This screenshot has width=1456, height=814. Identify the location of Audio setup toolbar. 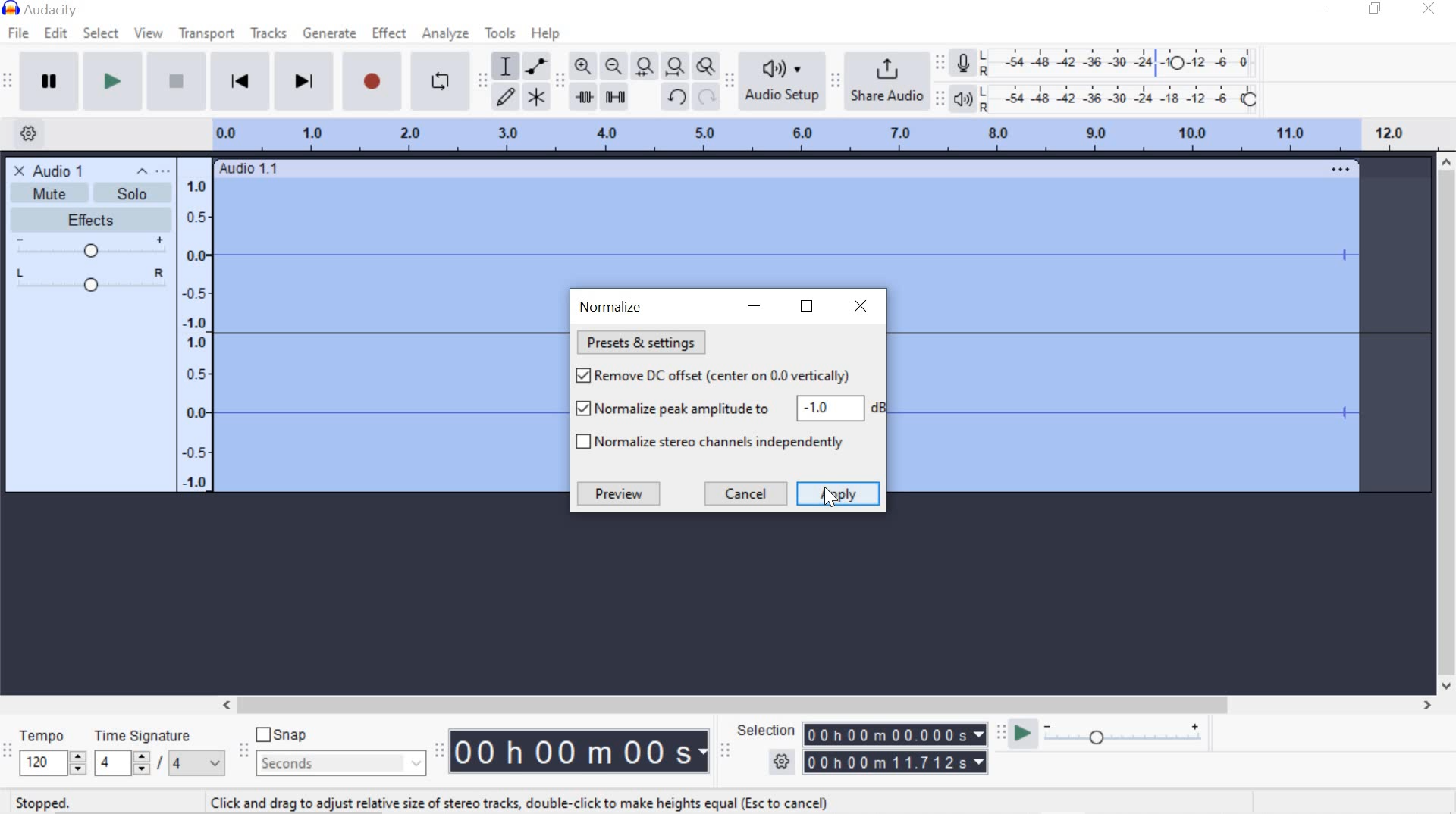
(730, 82).